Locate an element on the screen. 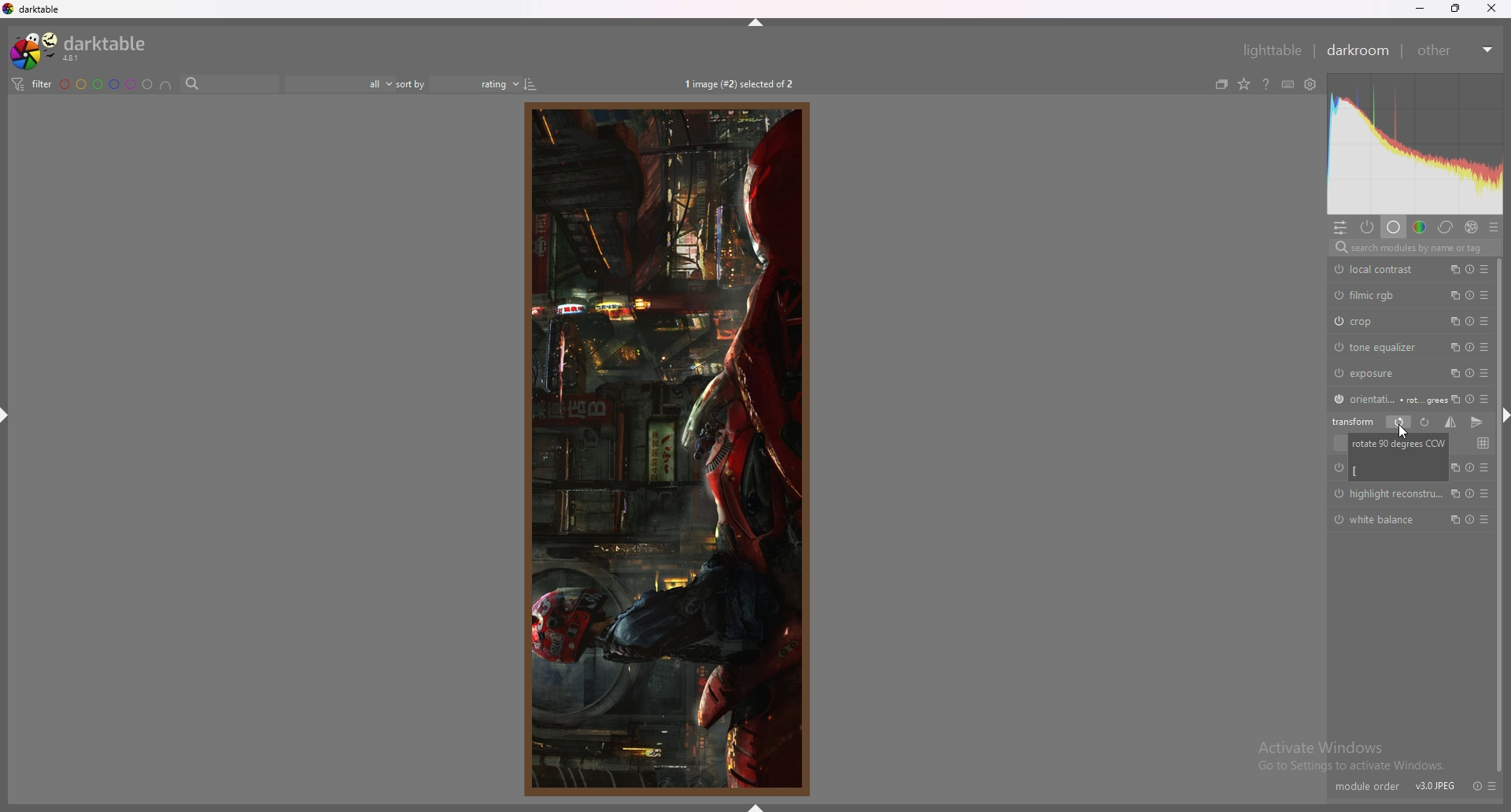 The width and height of the screenshot is (1511, 812). flip anticlockwise is located at coordinates (1398, 423).